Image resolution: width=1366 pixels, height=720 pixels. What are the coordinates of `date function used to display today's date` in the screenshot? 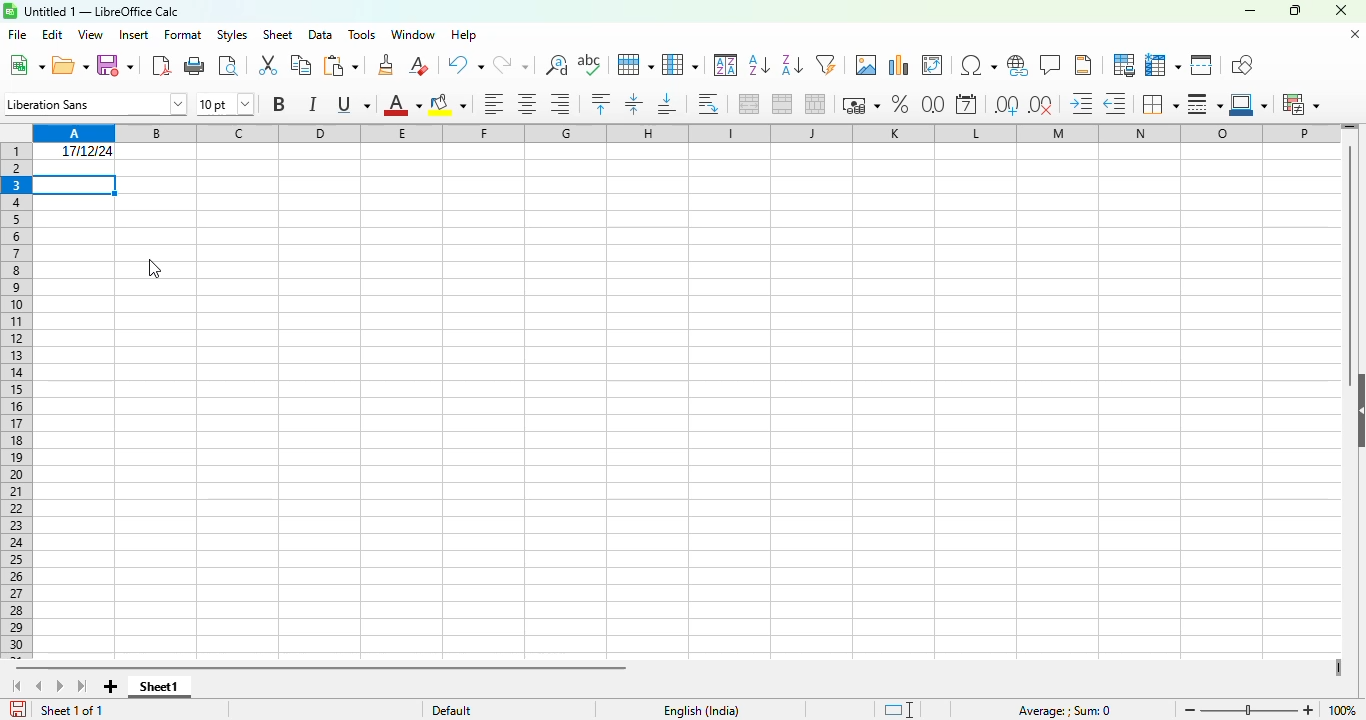 It's located at (75, 151).